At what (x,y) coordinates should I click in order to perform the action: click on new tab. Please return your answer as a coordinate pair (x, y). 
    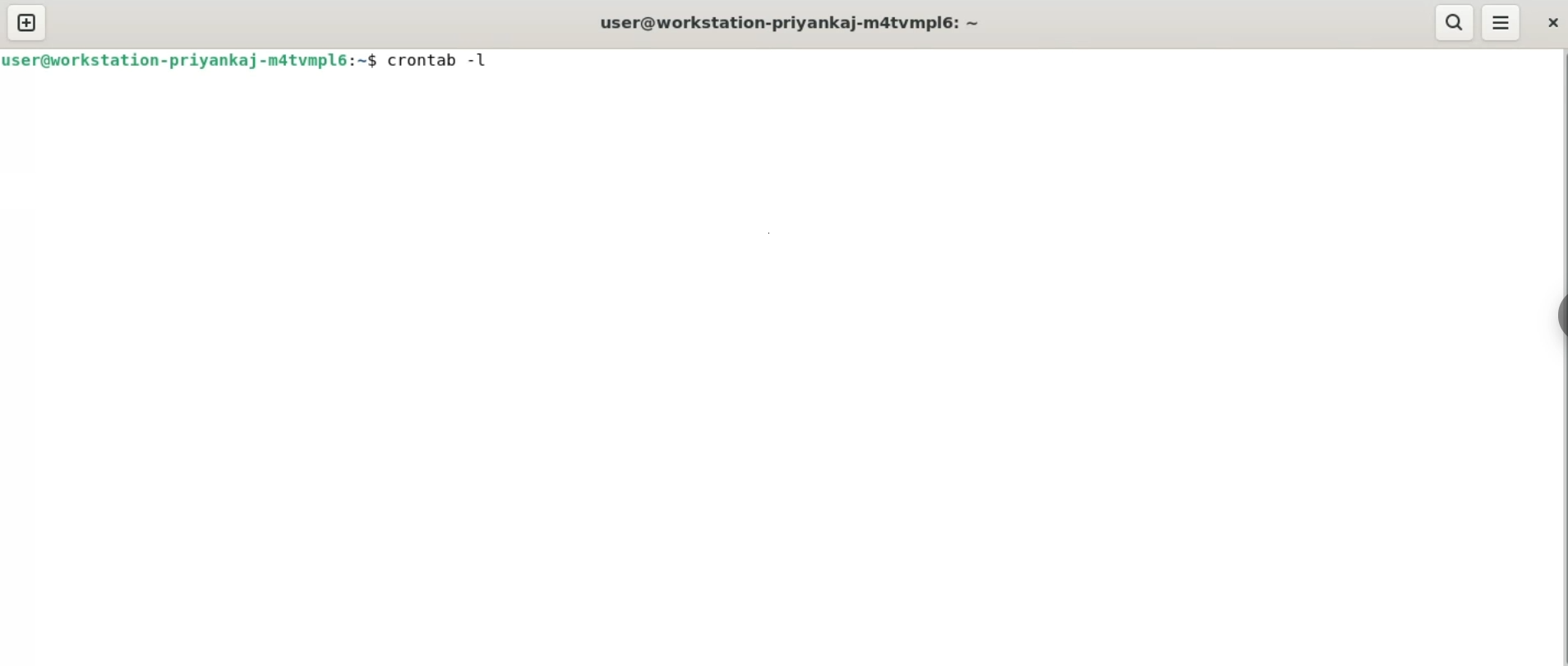
    Looking at the image, I should click on (26, 22).